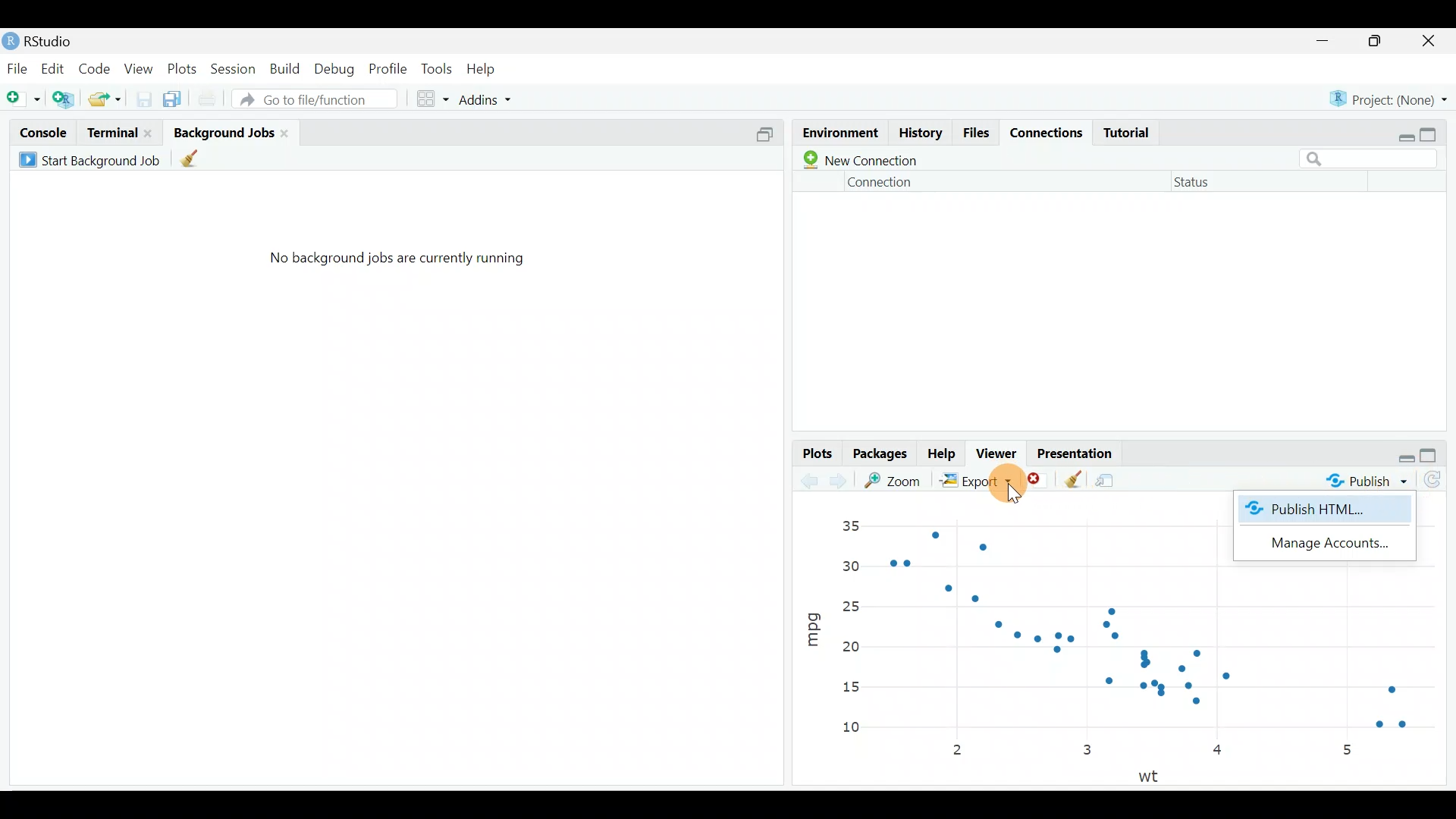  I want to click on Print current file, so click(205, 96).